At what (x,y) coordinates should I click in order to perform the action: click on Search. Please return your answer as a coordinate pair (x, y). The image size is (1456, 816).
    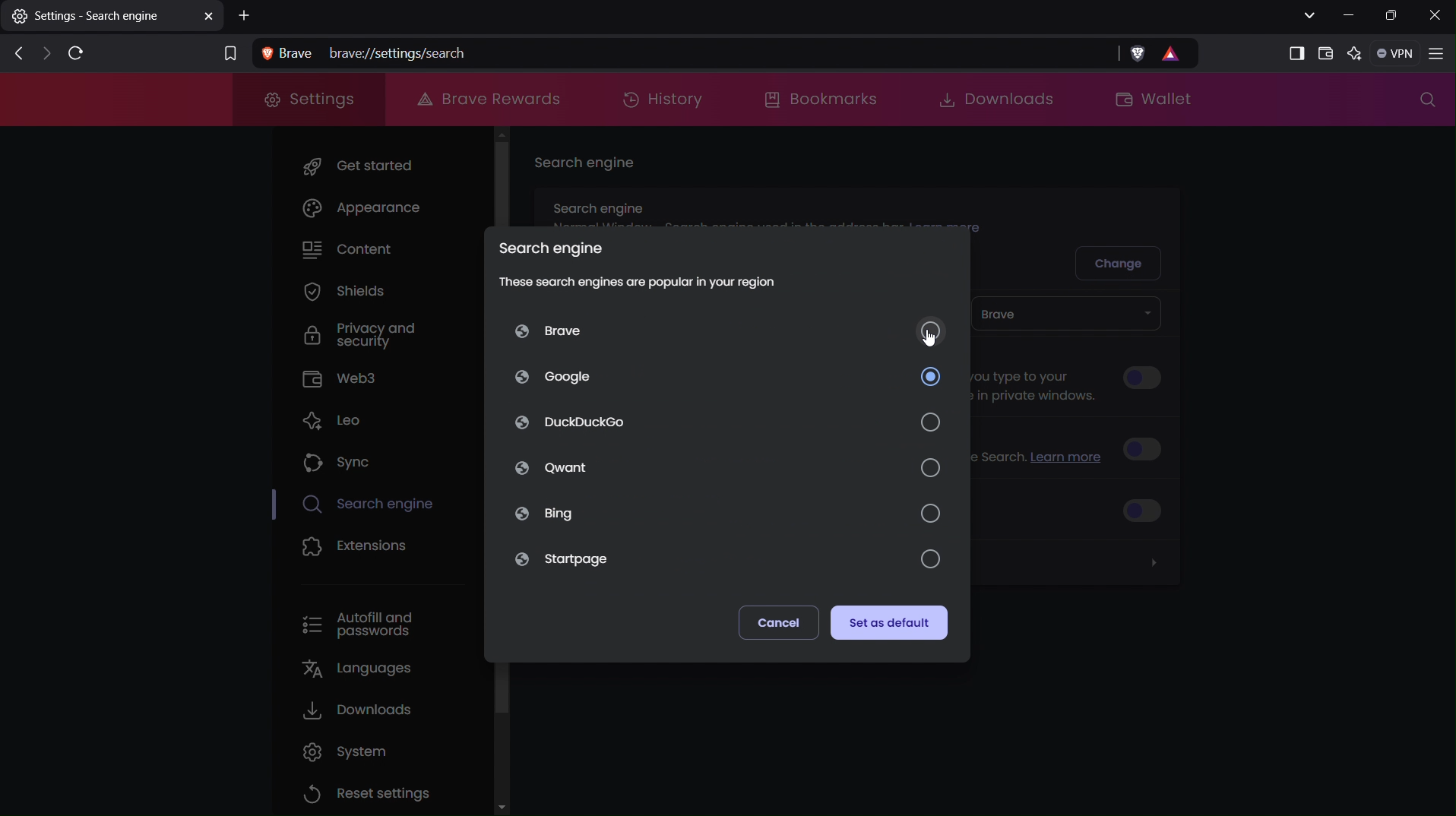
    Looking at the image, I should click on (1423, 103).